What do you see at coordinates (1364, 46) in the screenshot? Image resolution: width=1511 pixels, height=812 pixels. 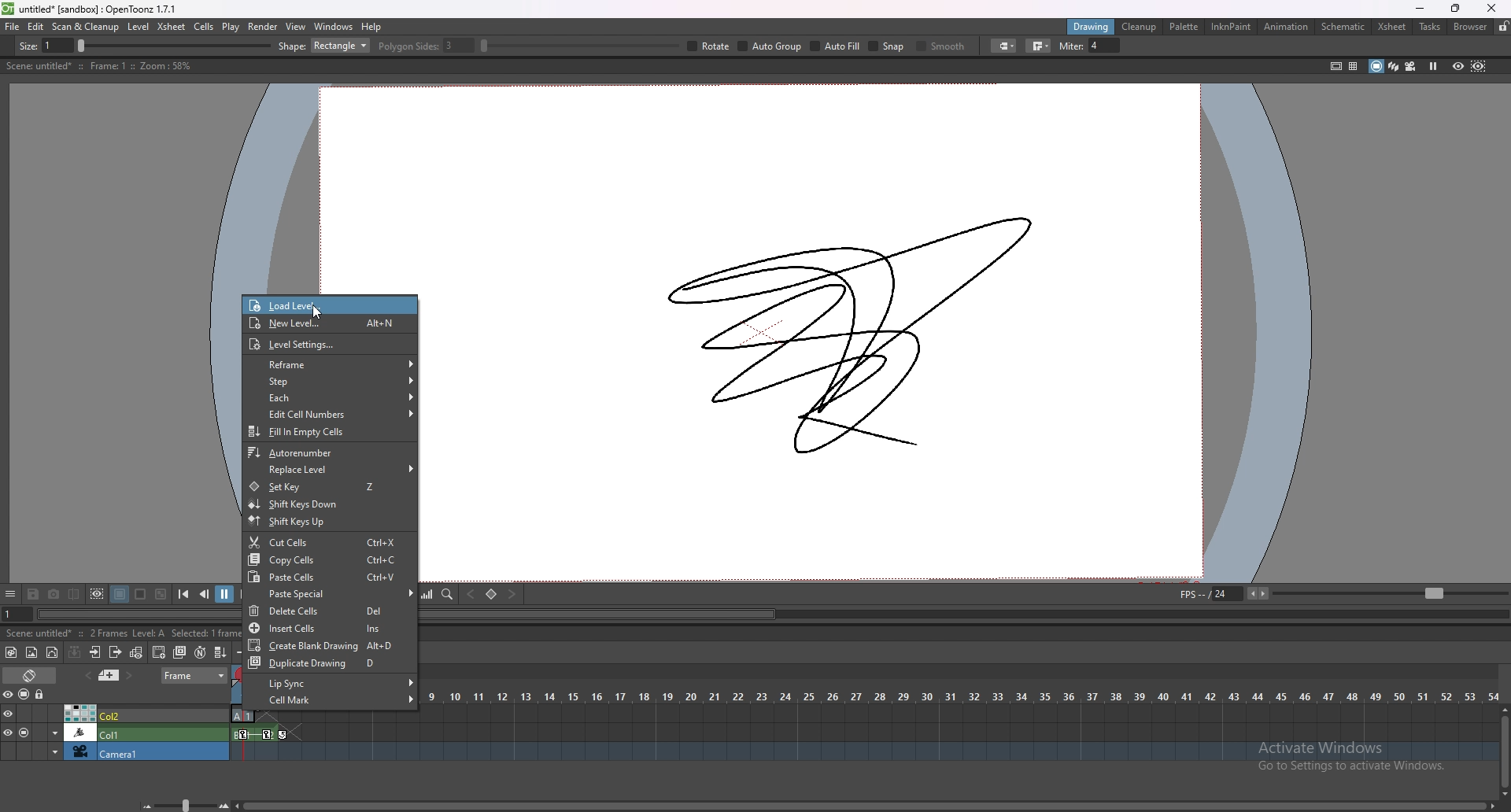 I see `miter` at bounding box center [1364, 46].